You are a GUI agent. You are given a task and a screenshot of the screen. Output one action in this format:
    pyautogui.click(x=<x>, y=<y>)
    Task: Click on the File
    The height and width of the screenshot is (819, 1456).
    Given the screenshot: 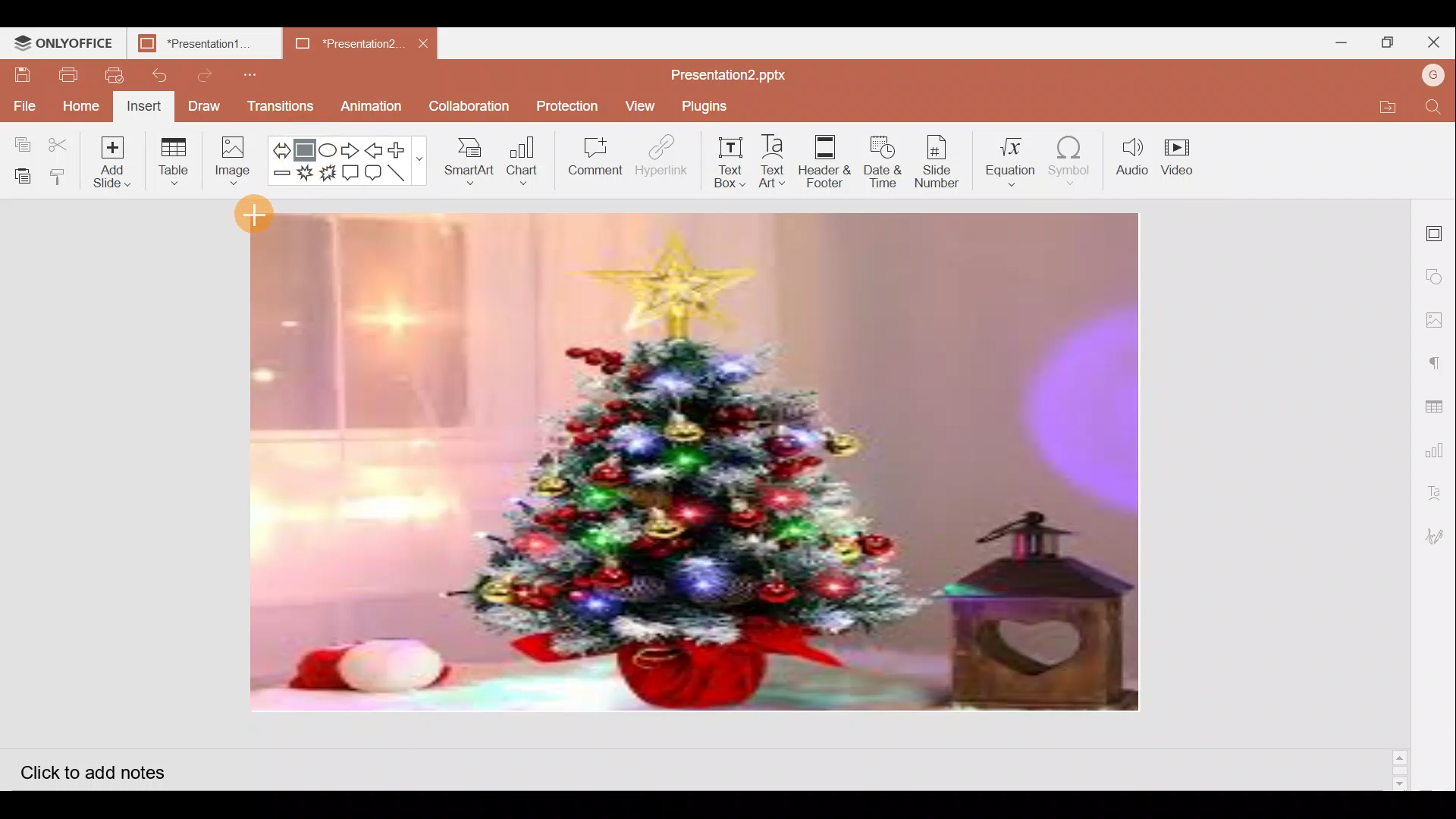 What is the action you would take?
    pyautogui.click(x=23, y=102)
    